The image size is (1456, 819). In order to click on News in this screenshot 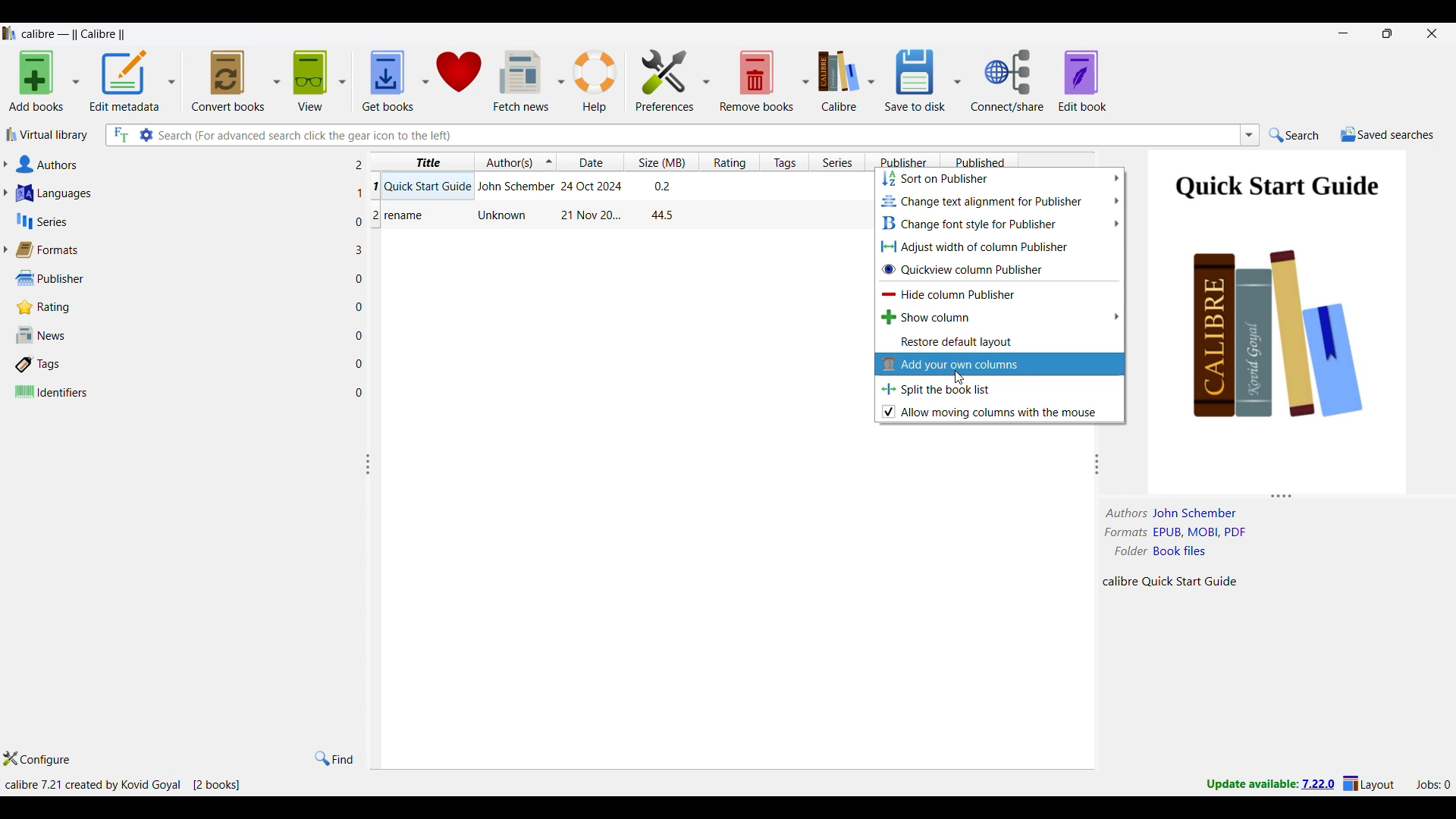, I will do `click(180, 335)`.